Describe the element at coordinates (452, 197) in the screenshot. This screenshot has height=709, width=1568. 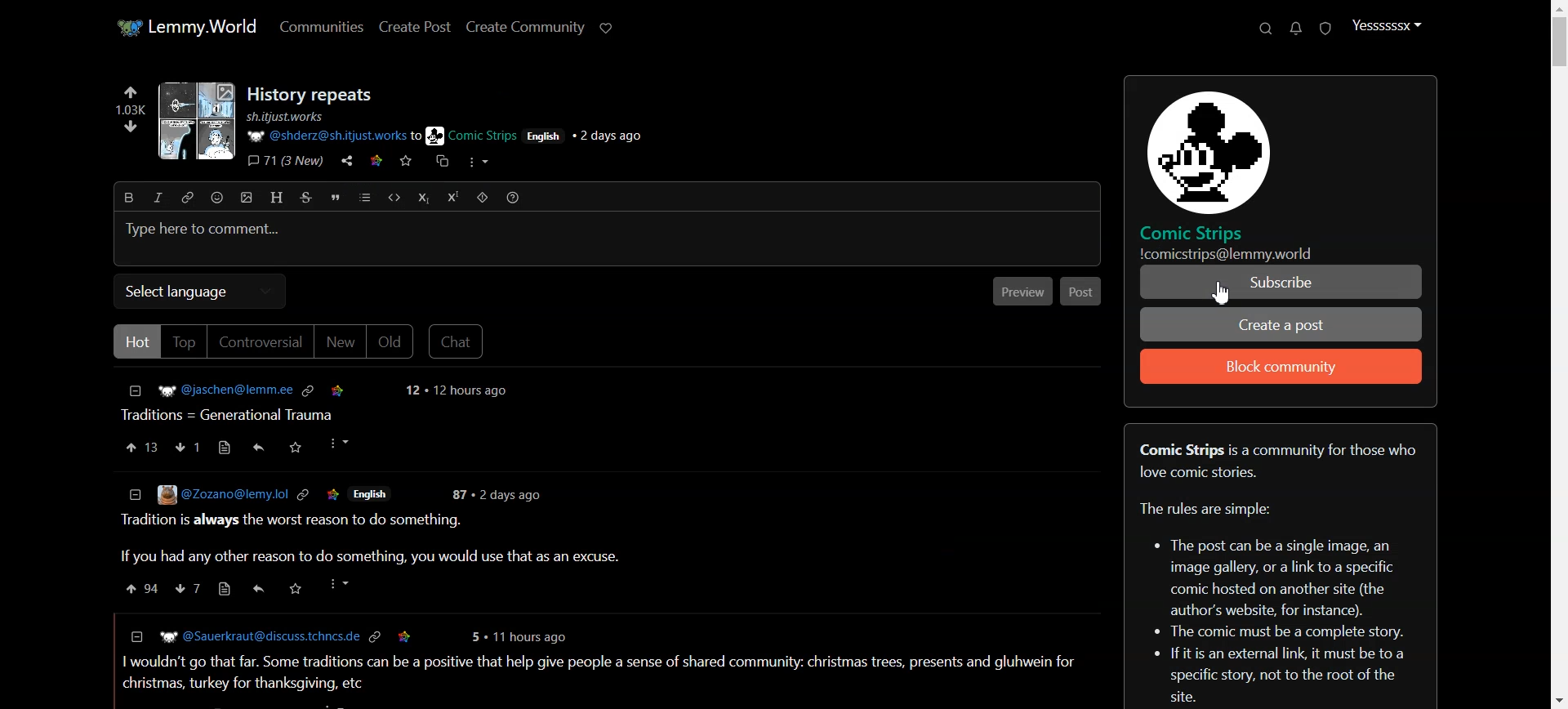
I see `superscript` at that location.